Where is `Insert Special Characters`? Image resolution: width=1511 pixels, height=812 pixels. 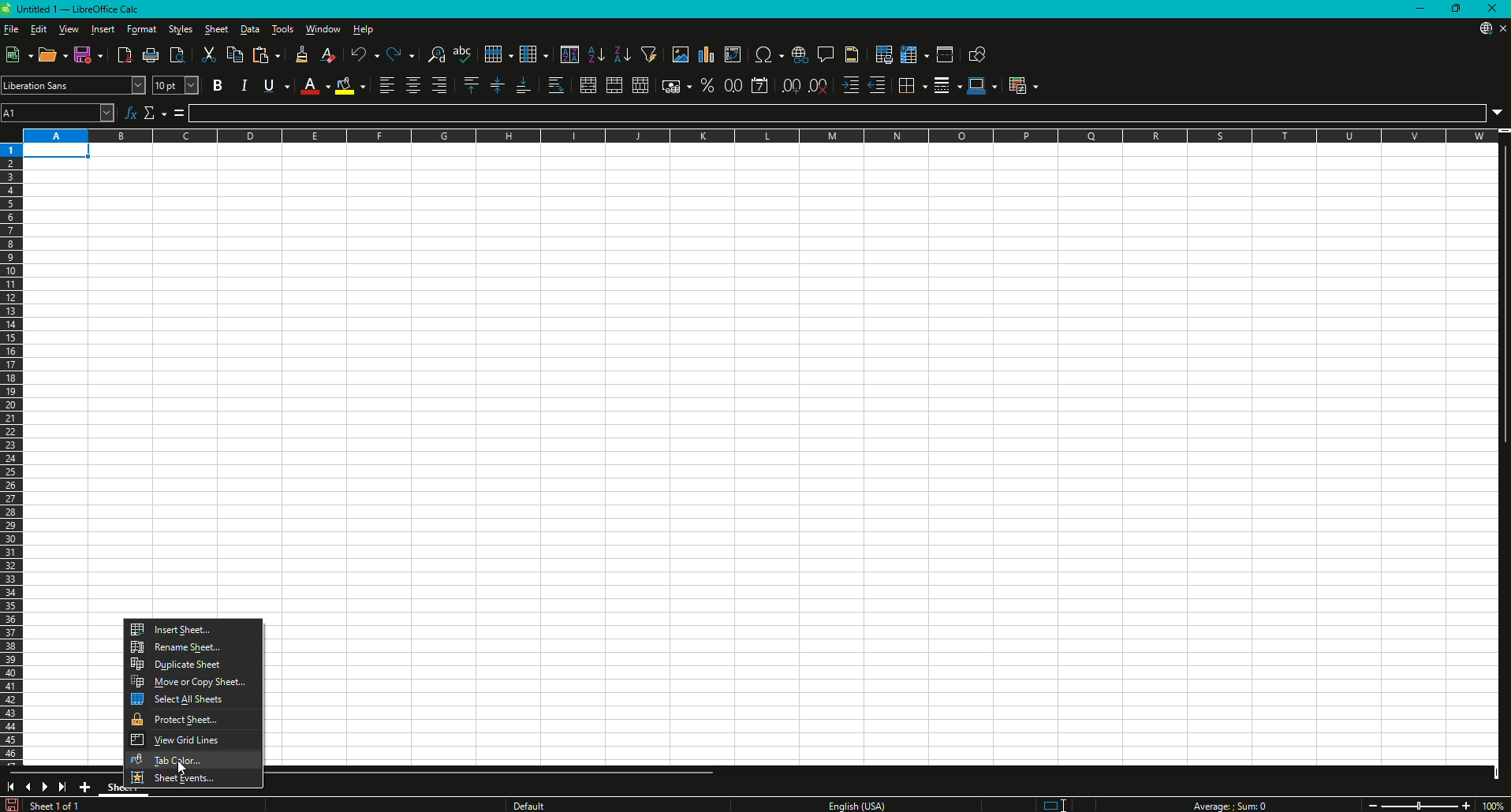 Insert Special Characters is located at coordinates (768, 54).